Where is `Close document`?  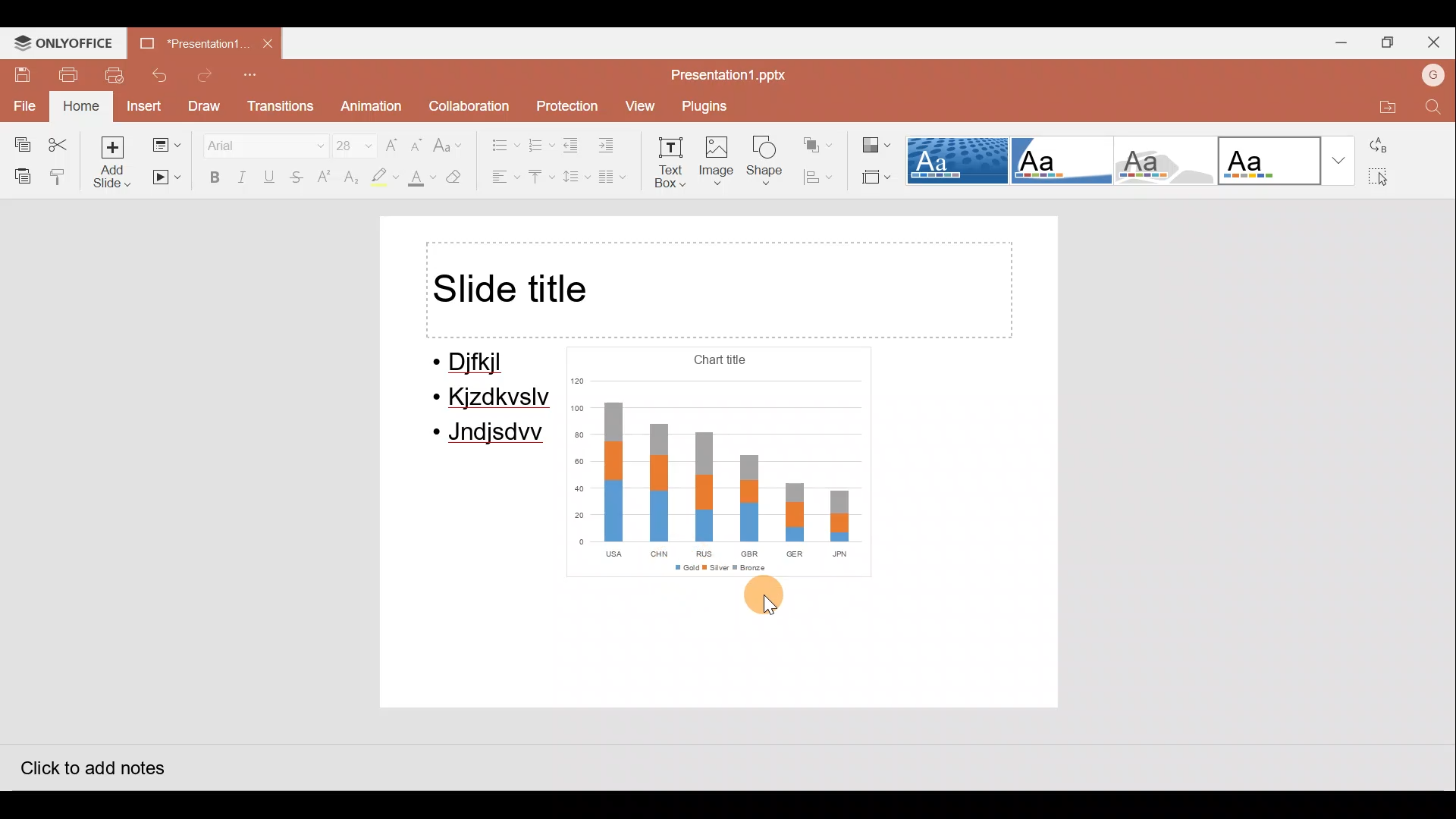 Close document is located at coordinates (269, 45).